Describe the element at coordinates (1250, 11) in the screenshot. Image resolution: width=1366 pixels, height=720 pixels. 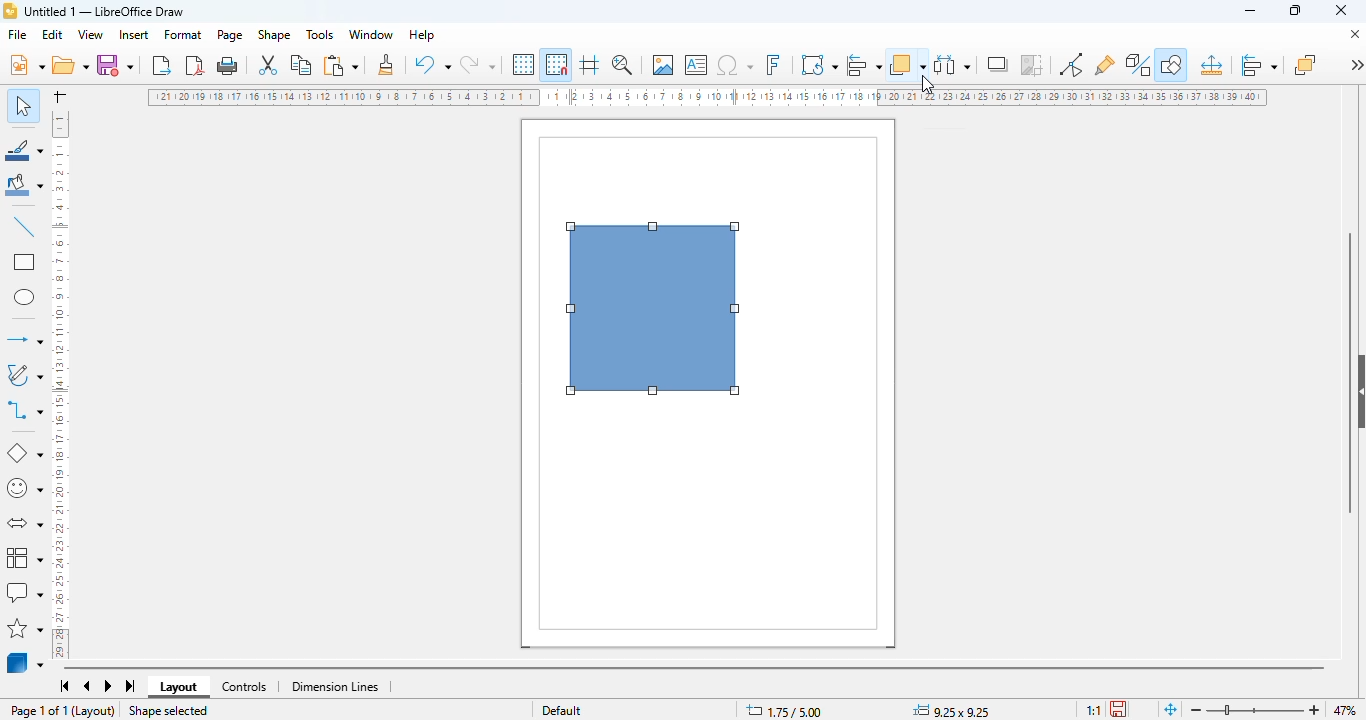
I see `minimize` at that location.